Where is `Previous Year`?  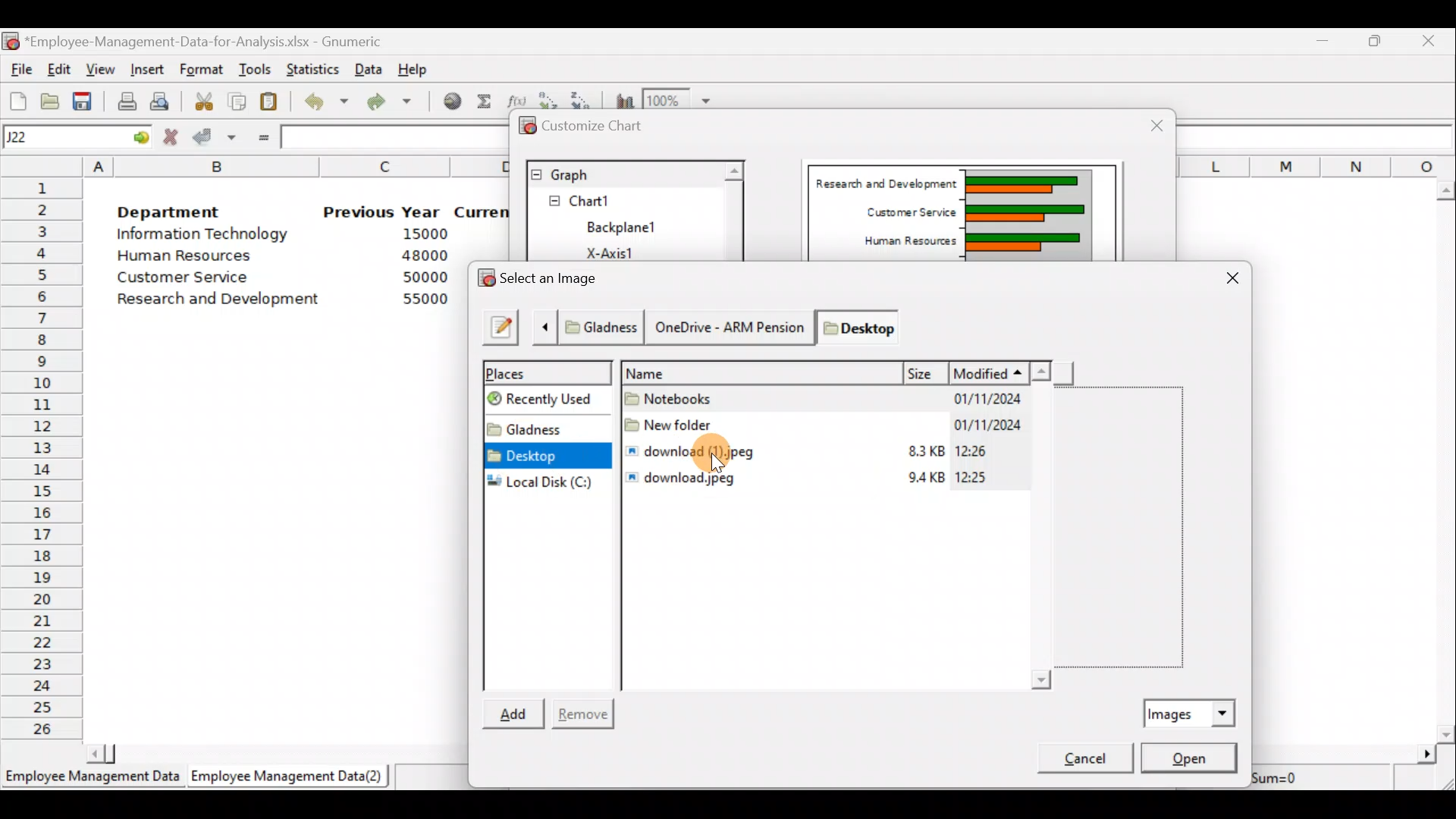 Previous Year is located at coordinates (383, 211).